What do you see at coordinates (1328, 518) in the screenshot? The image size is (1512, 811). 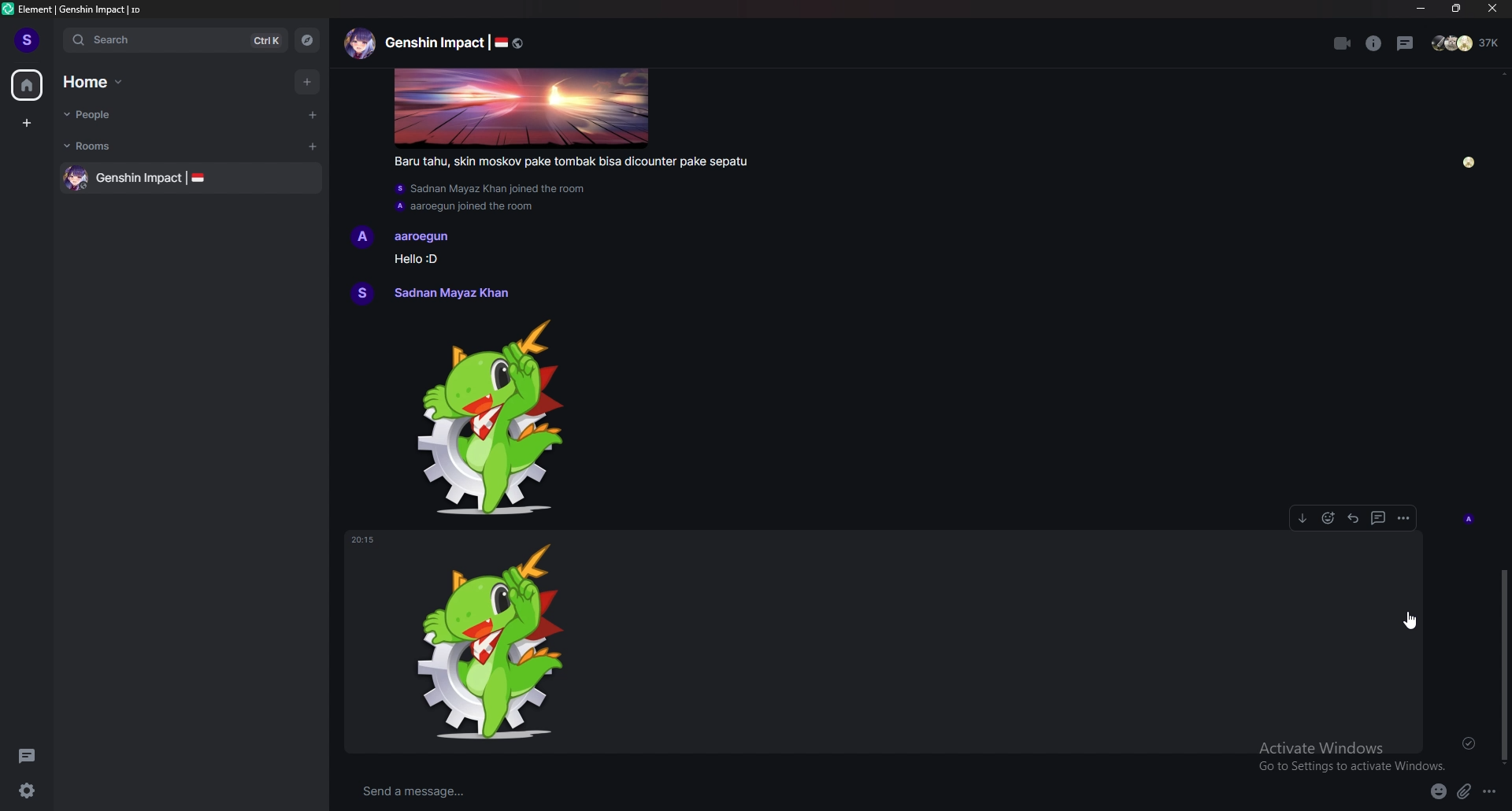 I see `react` at bounding box center [1328, 518].